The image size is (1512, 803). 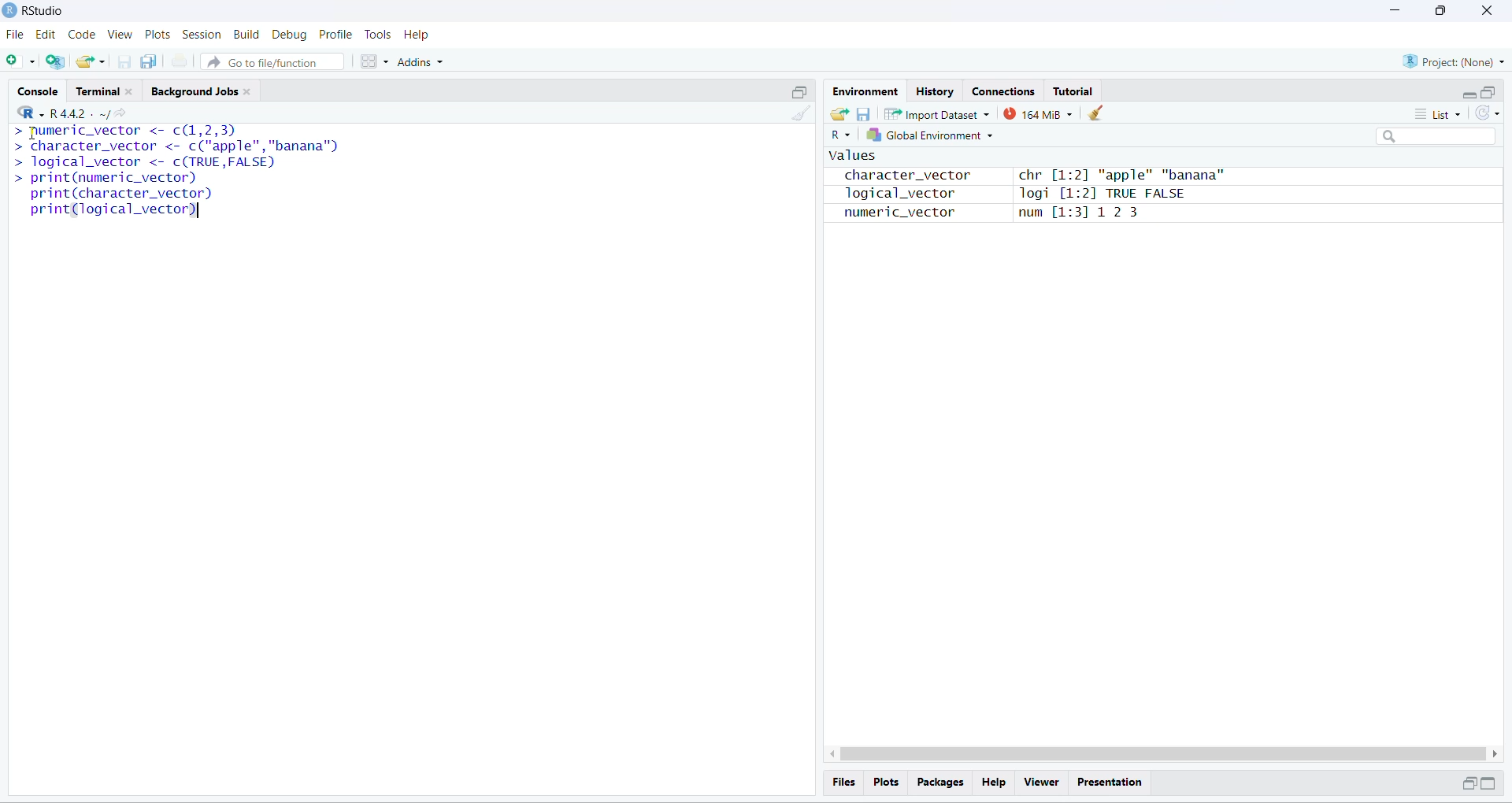 What do you see at coordinates (884, 781) in the screenshot?
I see `Plots` at bounding box center [884, 781].